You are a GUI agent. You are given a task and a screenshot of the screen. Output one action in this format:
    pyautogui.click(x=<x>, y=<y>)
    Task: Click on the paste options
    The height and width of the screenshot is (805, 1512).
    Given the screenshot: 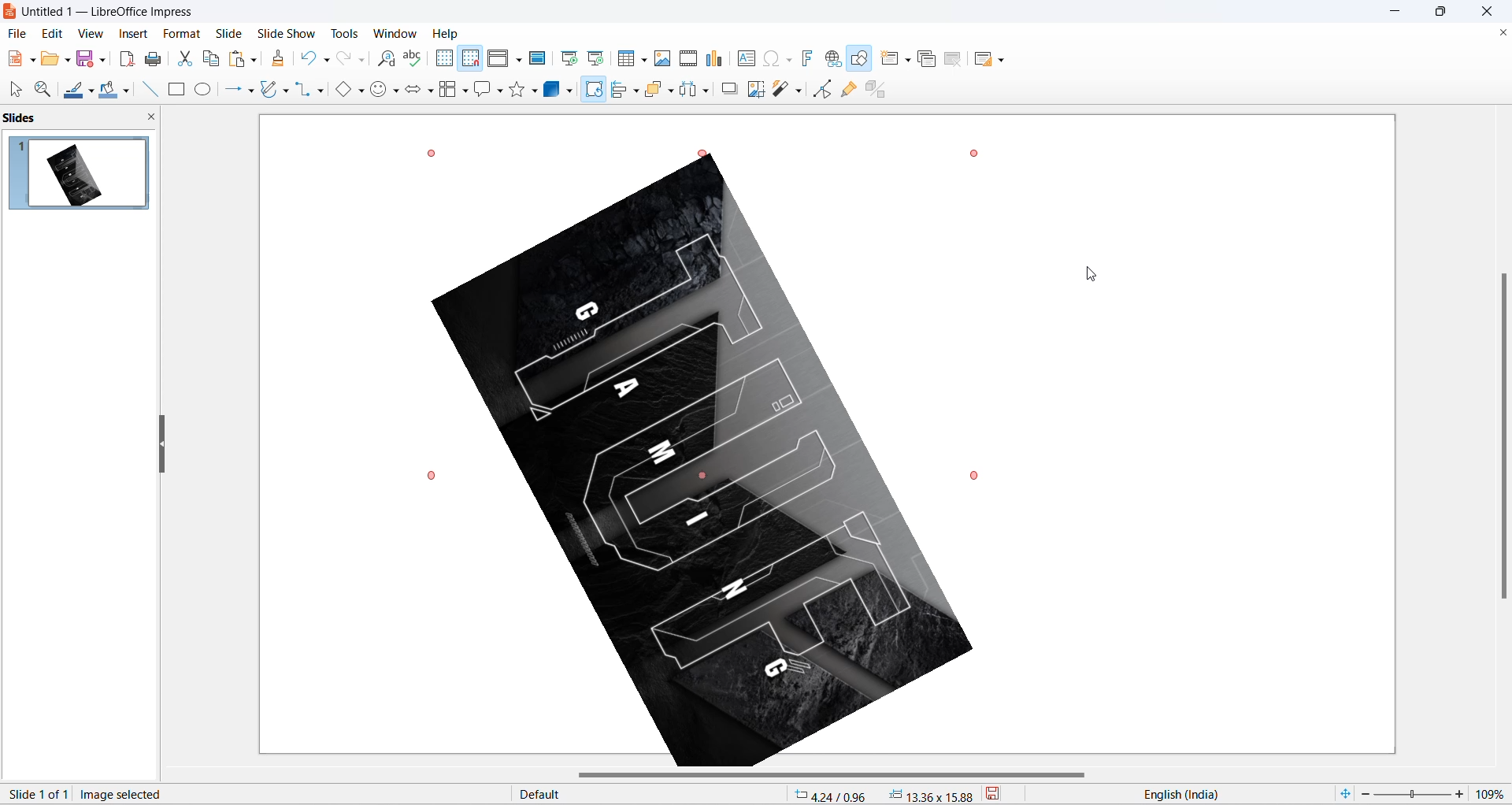 What is the action you would take?
    pyautogui.click(x=253, y=57)
    